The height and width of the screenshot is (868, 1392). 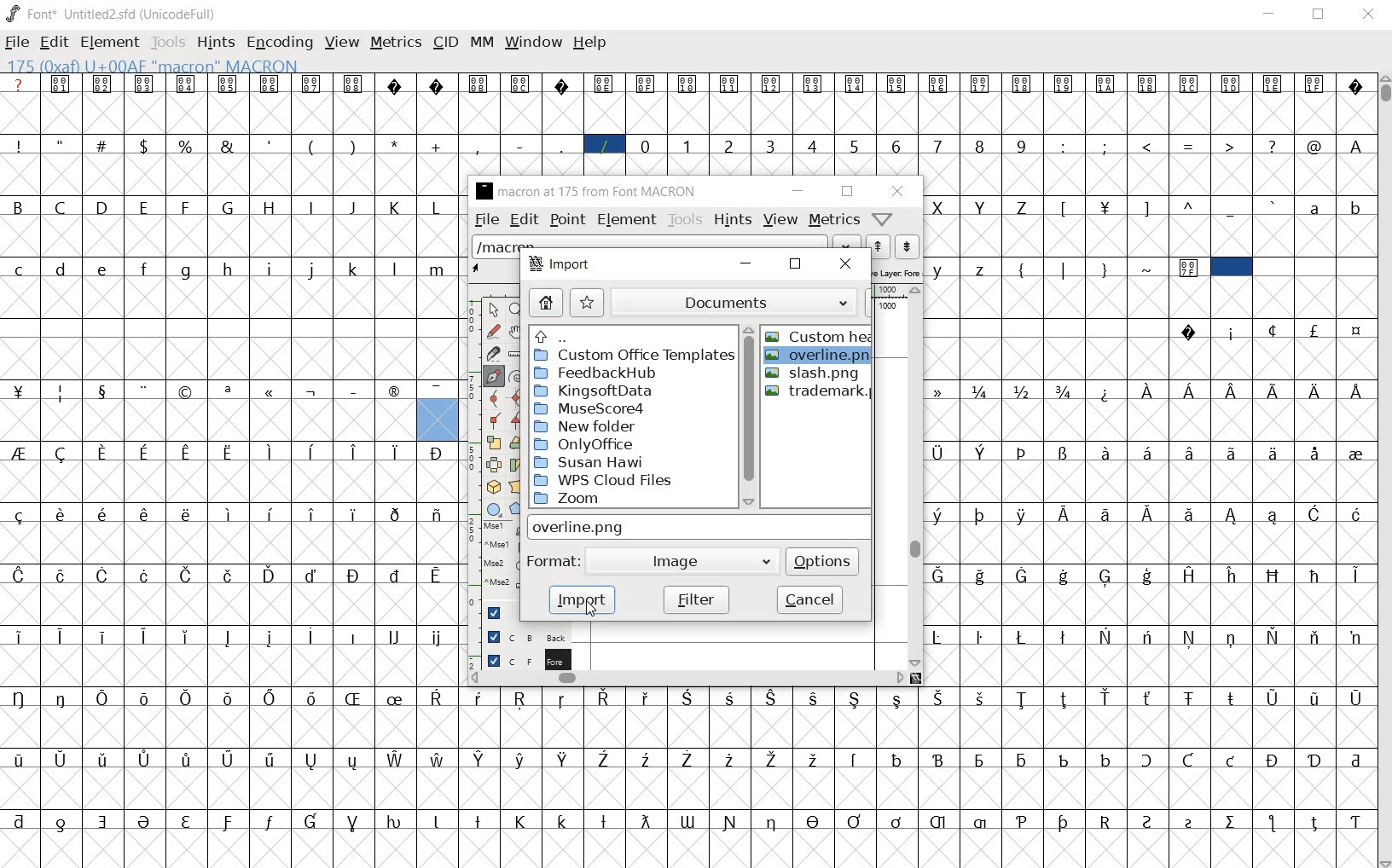 What do you see at coordinates (763, 559) in the screenshot?
I see `drop down` at bounding box center [763, 559].